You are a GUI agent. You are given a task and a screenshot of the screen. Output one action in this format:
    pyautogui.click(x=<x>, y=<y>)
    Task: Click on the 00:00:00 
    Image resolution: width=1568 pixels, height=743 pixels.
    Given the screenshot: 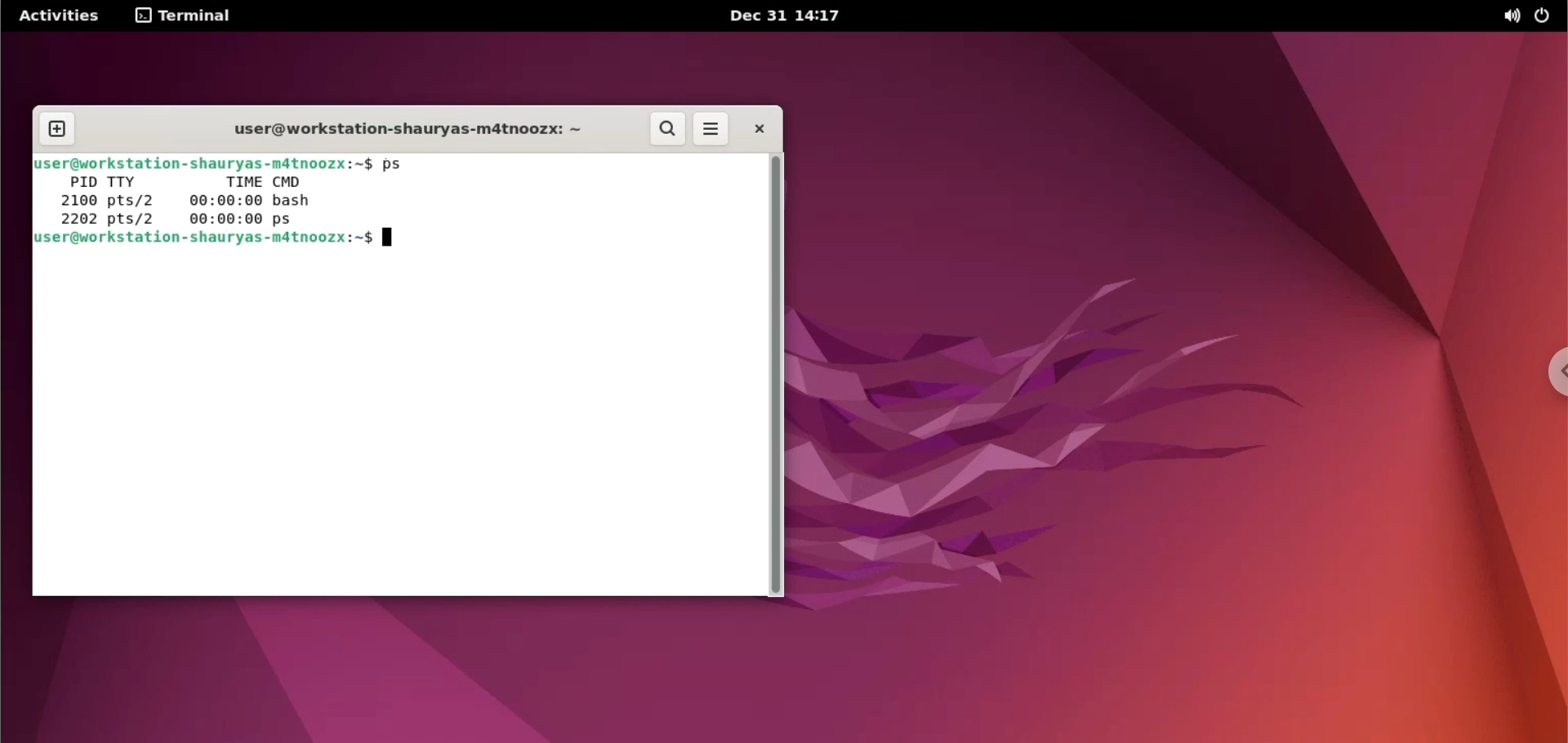 What is the action you would take?
    pyautogui.click(x=212, y=199)
    